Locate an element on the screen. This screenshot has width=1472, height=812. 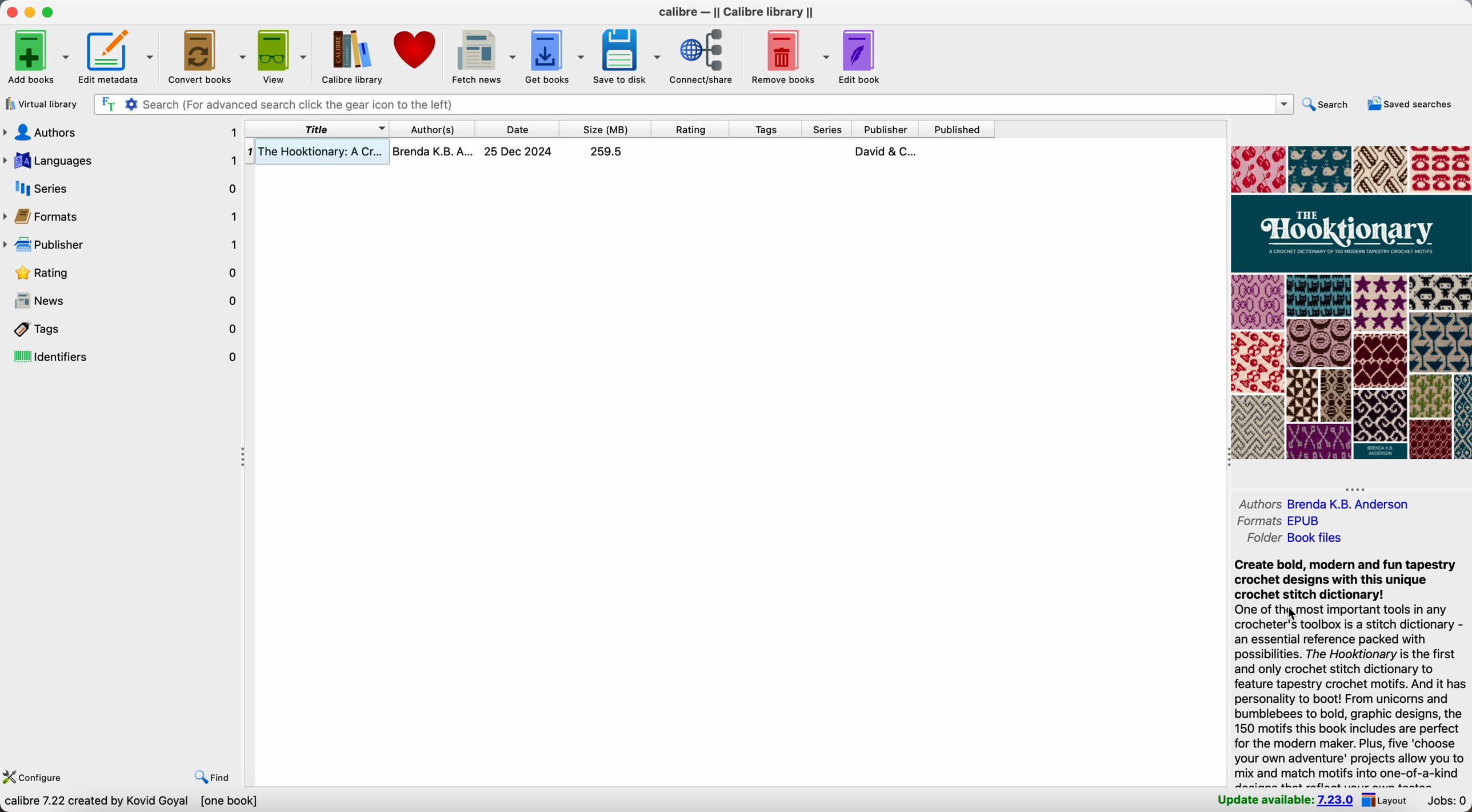
series is located at coordinates (825, 129).